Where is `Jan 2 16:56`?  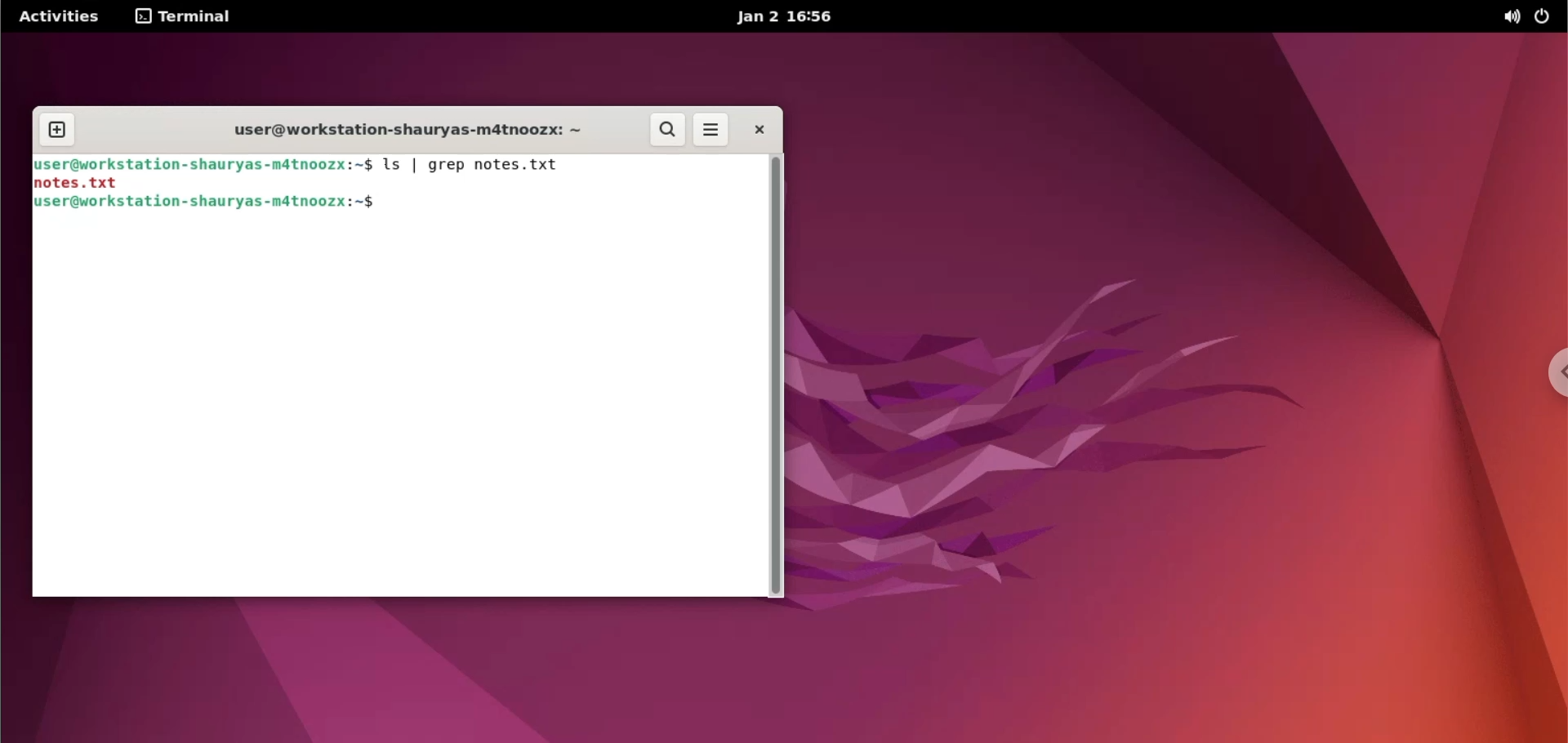
Jan 2 16:56 is located at coordinates (790, 20).